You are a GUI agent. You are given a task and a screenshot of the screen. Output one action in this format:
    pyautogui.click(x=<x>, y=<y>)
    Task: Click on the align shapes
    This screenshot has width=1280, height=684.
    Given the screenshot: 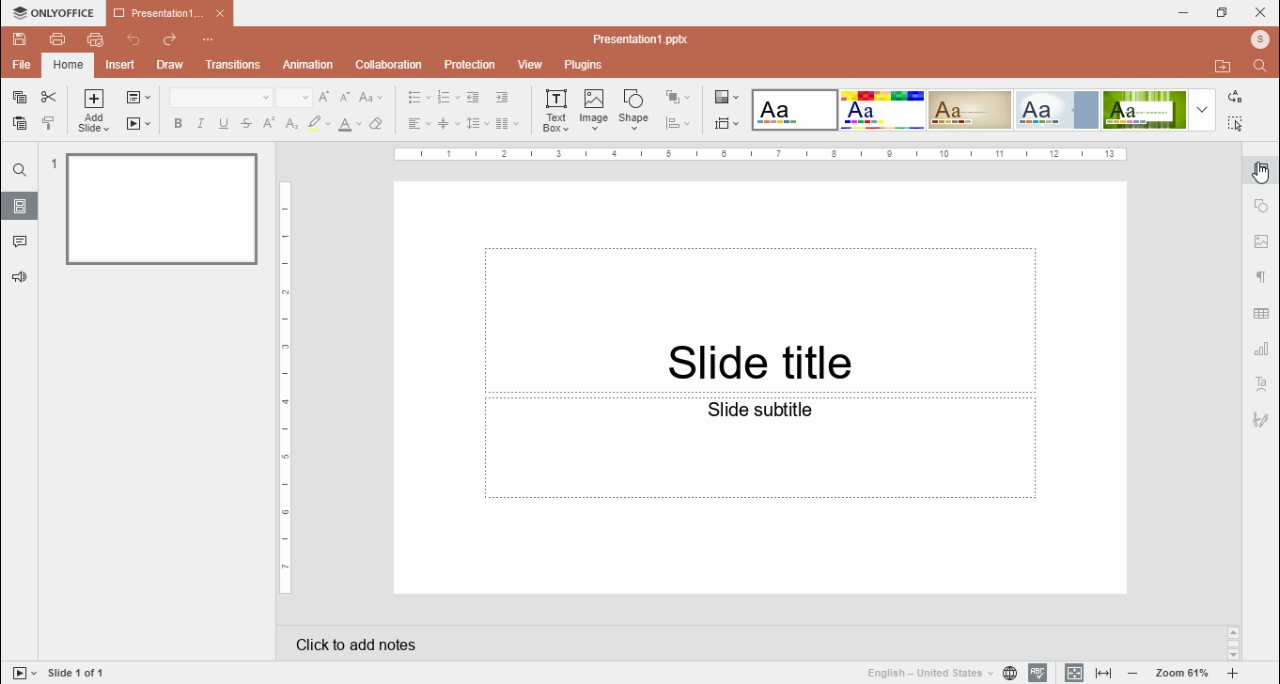 What is the action you would take?
    pyautogui.click(x=677, y=122)
    